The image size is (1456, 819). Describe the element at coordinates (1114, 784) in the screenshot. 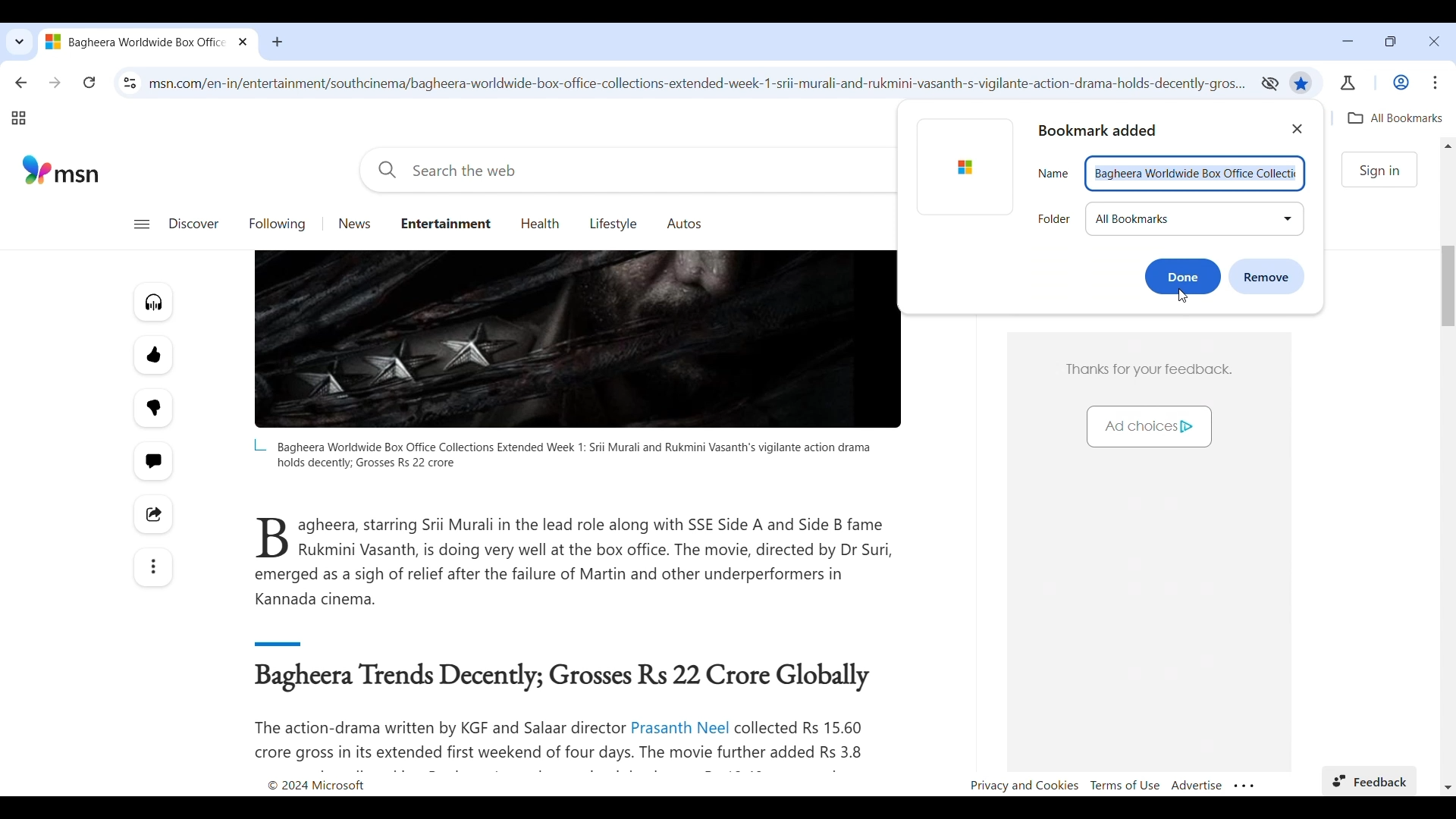

I see `Privacy and Cookies Terms of Use Advertise ` at that location.